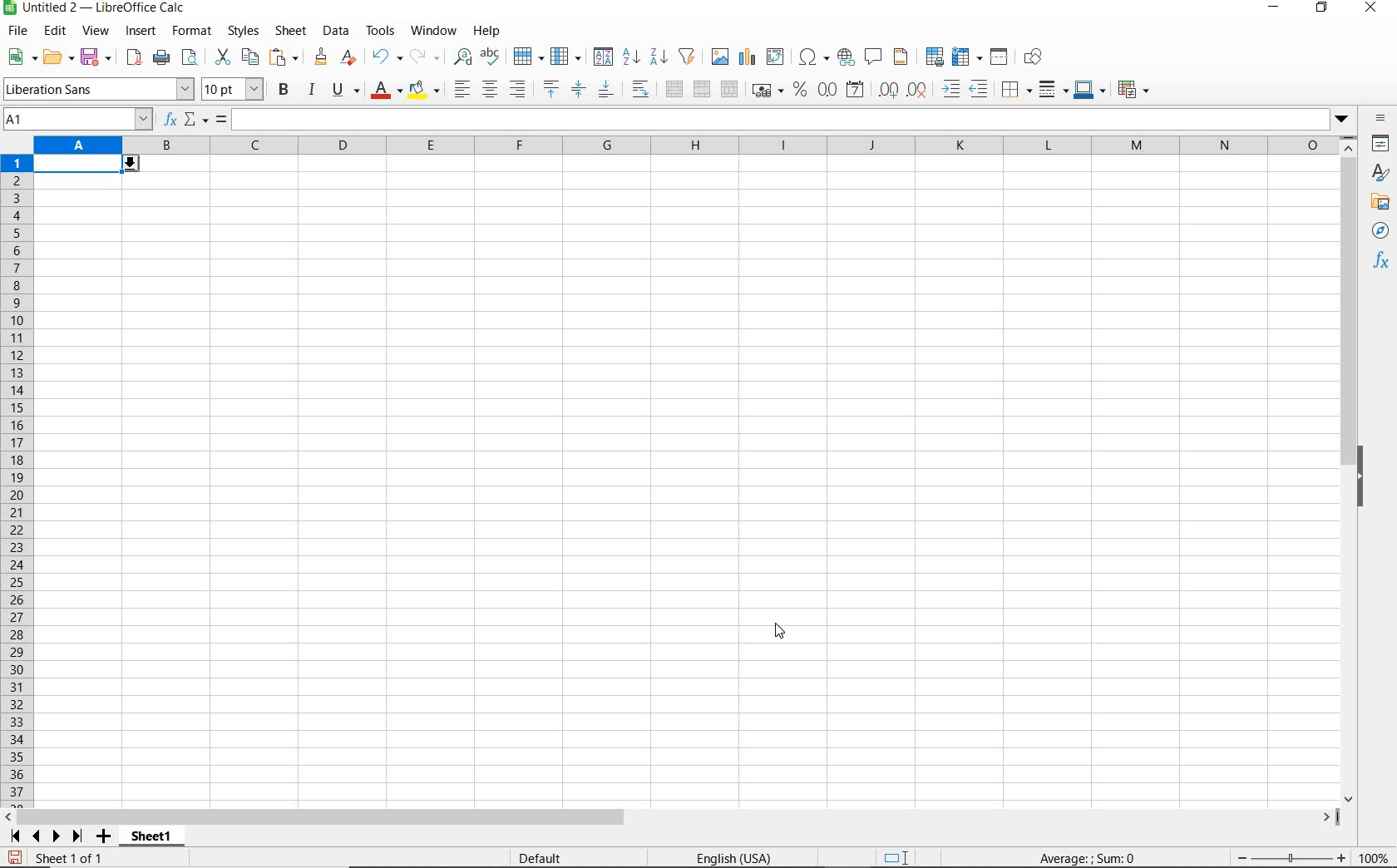  I want to click on row, so click(528, 57).